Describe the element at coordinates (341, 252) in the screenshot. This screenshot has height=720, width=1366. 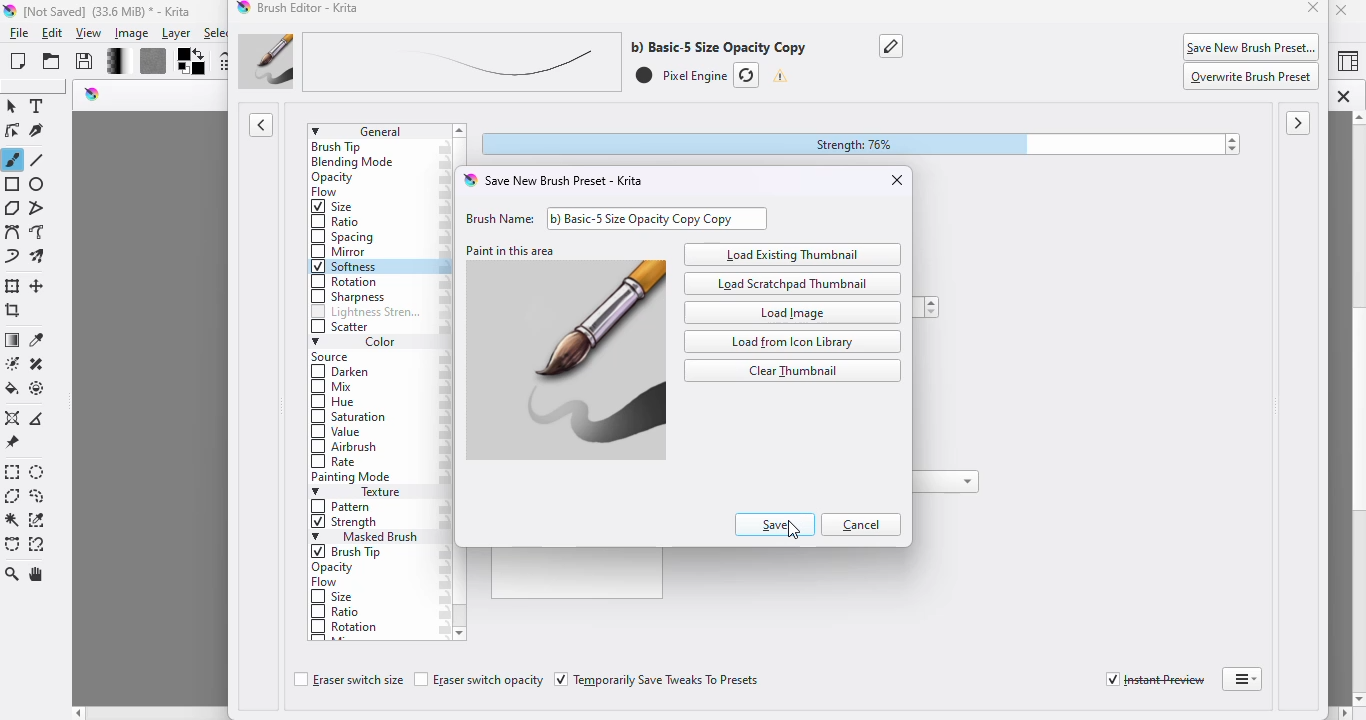
I see `mirror` at that location.